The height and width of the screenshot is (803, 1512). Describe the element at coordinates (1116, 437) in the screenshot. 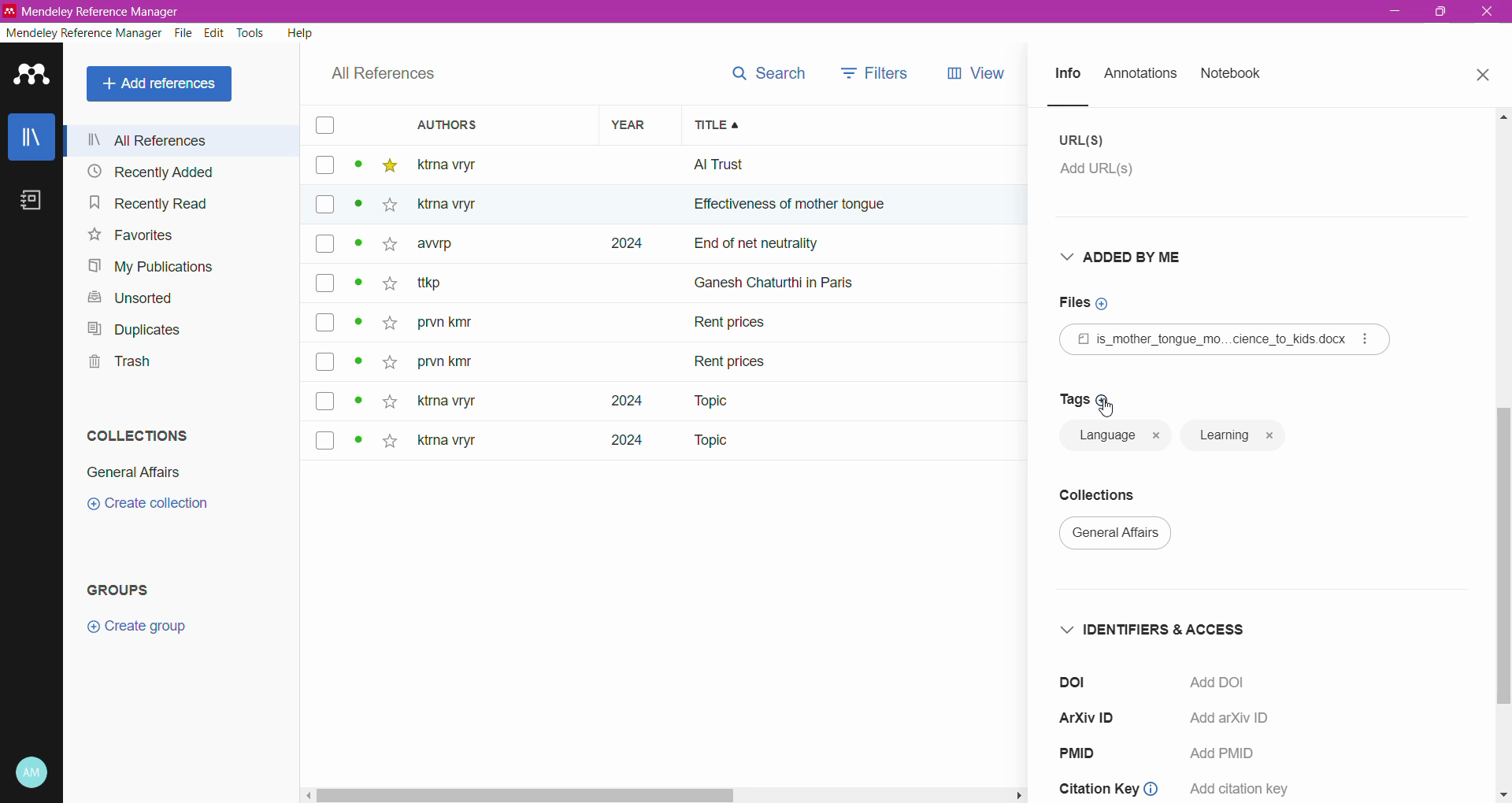

I see `language ` at that location.